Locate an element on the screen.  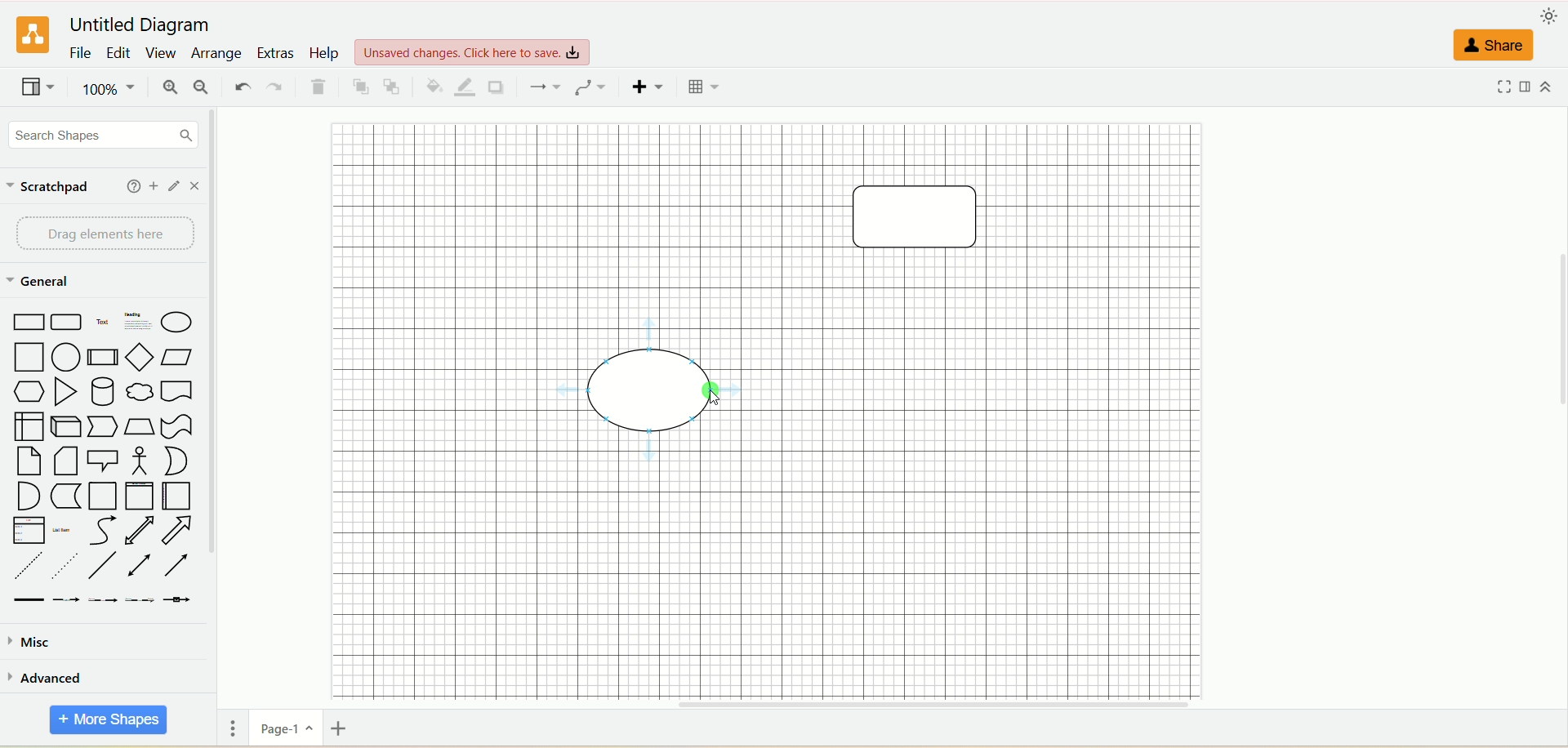
shape is located at coordinates (922, 220).